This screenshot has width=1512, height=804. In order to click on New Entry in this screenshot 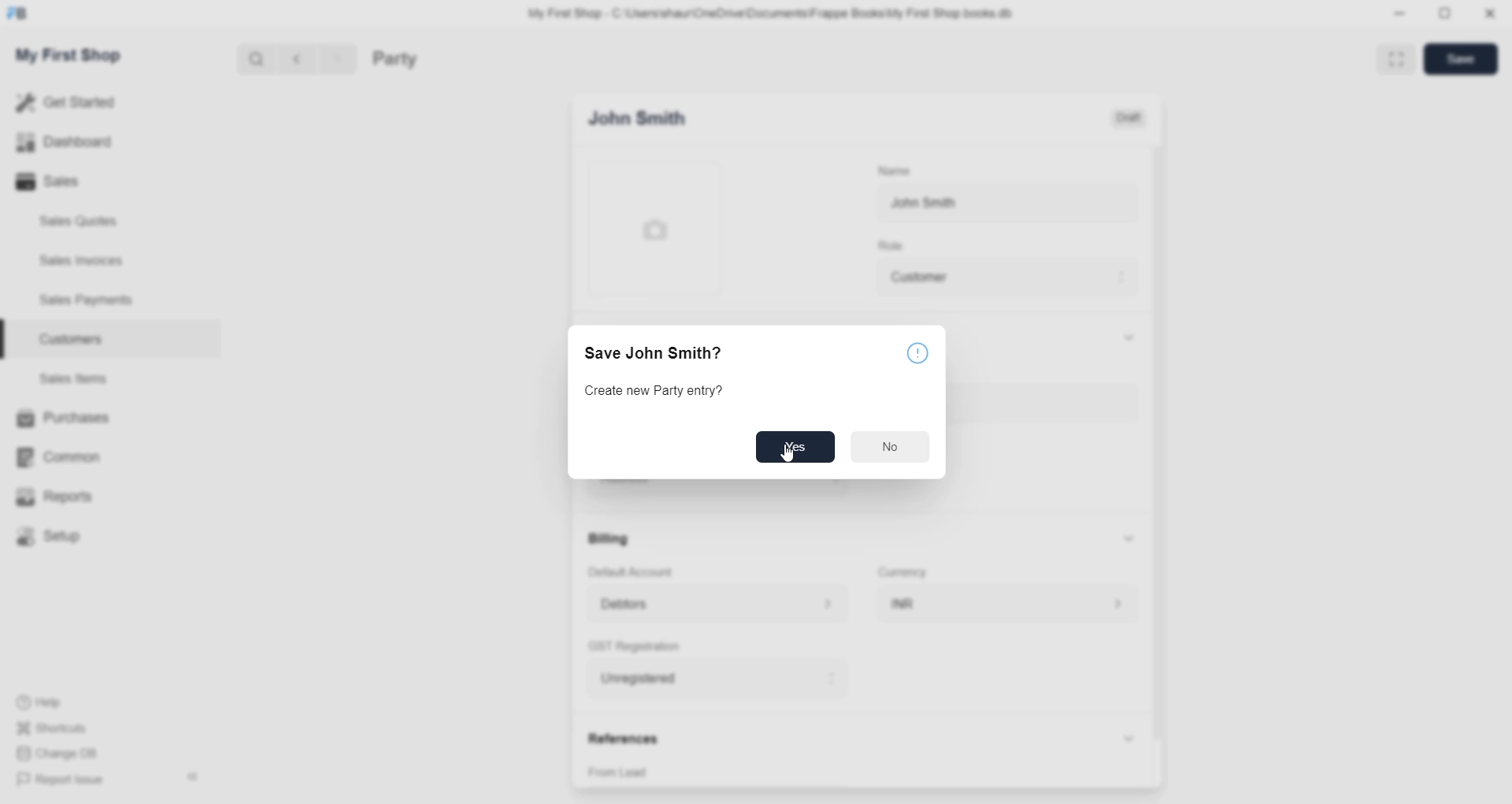, I will do `click(648, 120)`.